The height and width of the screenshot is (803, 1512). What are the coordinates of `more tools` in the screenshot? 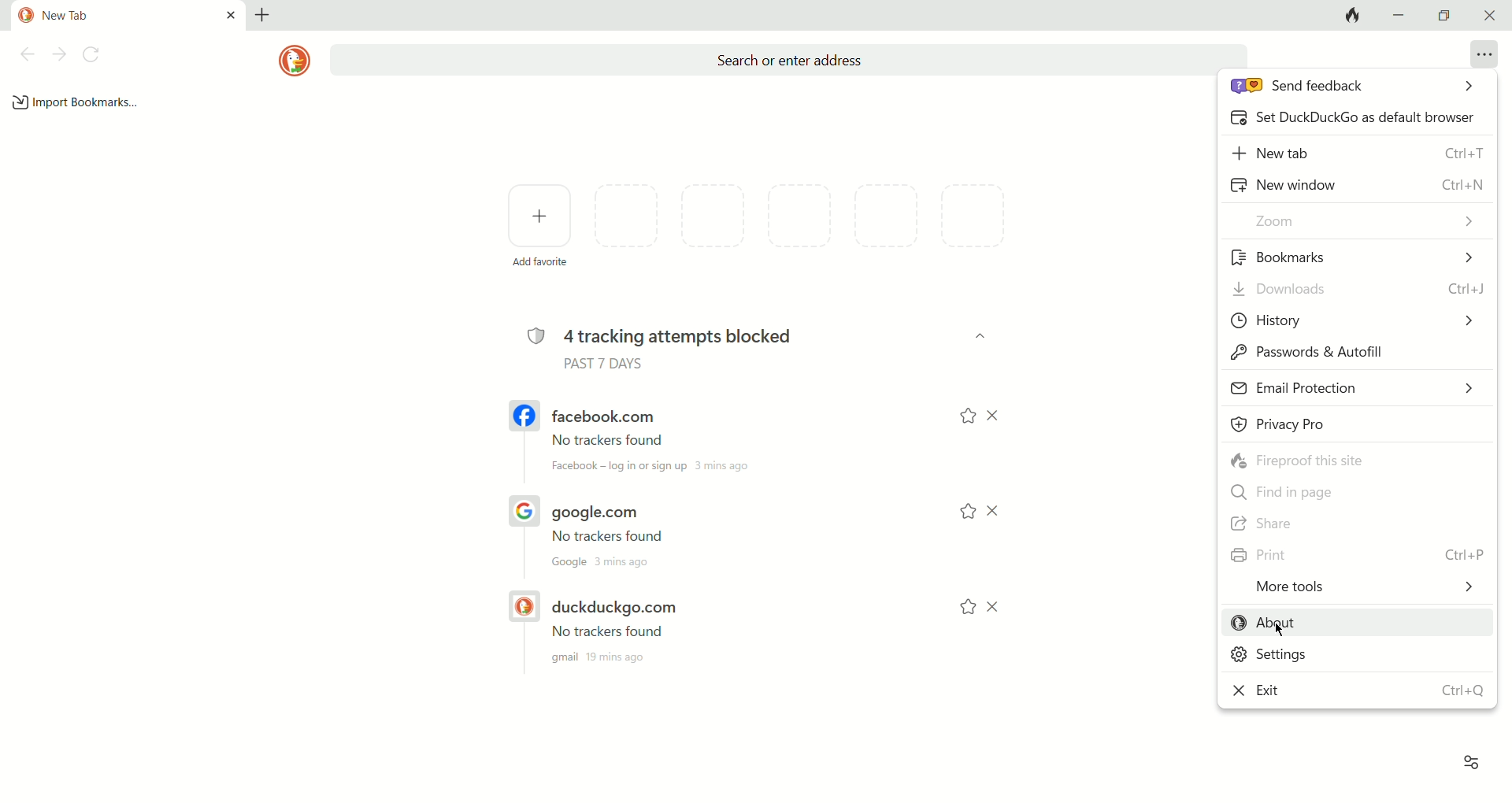 It's located at (1354, 590).